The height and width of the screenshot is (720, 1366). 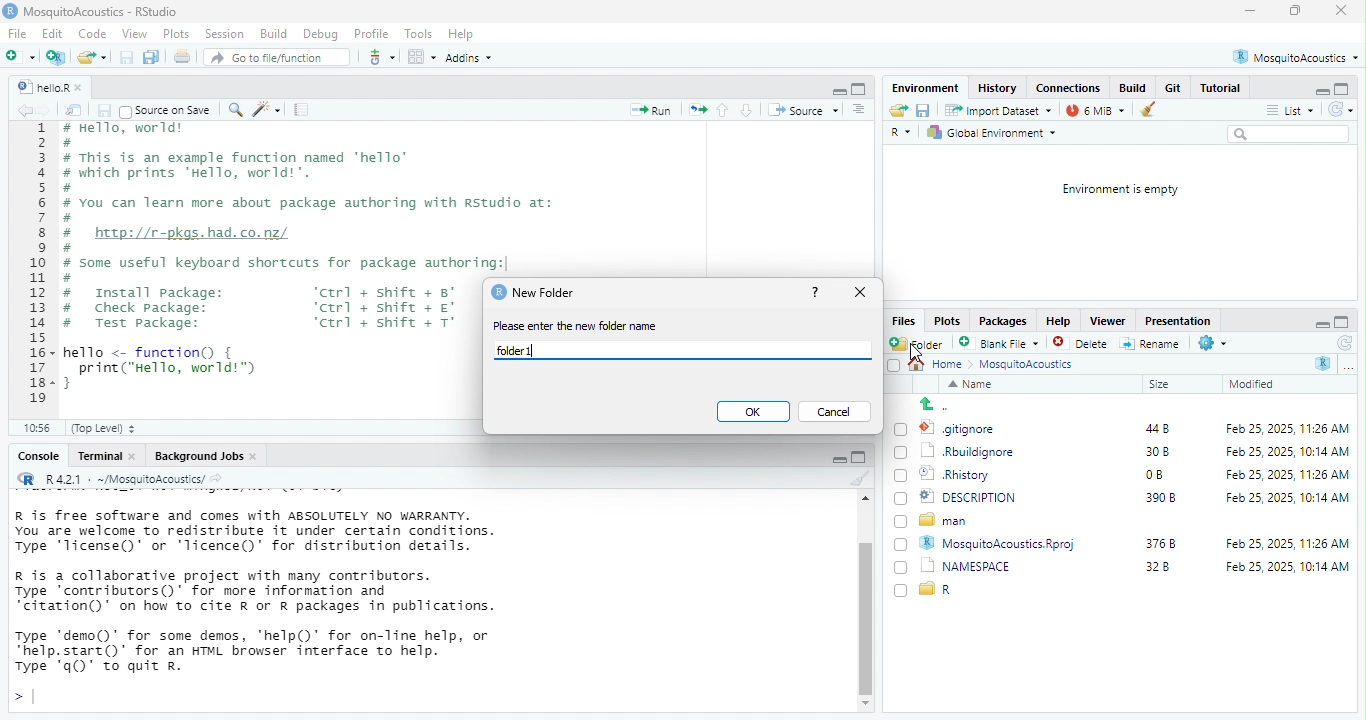 What do you see at coordinates (1280, 451) in the screenshot?
I see `Feb 25 2025 10:14 AM` at bounding box center [1280, 451].